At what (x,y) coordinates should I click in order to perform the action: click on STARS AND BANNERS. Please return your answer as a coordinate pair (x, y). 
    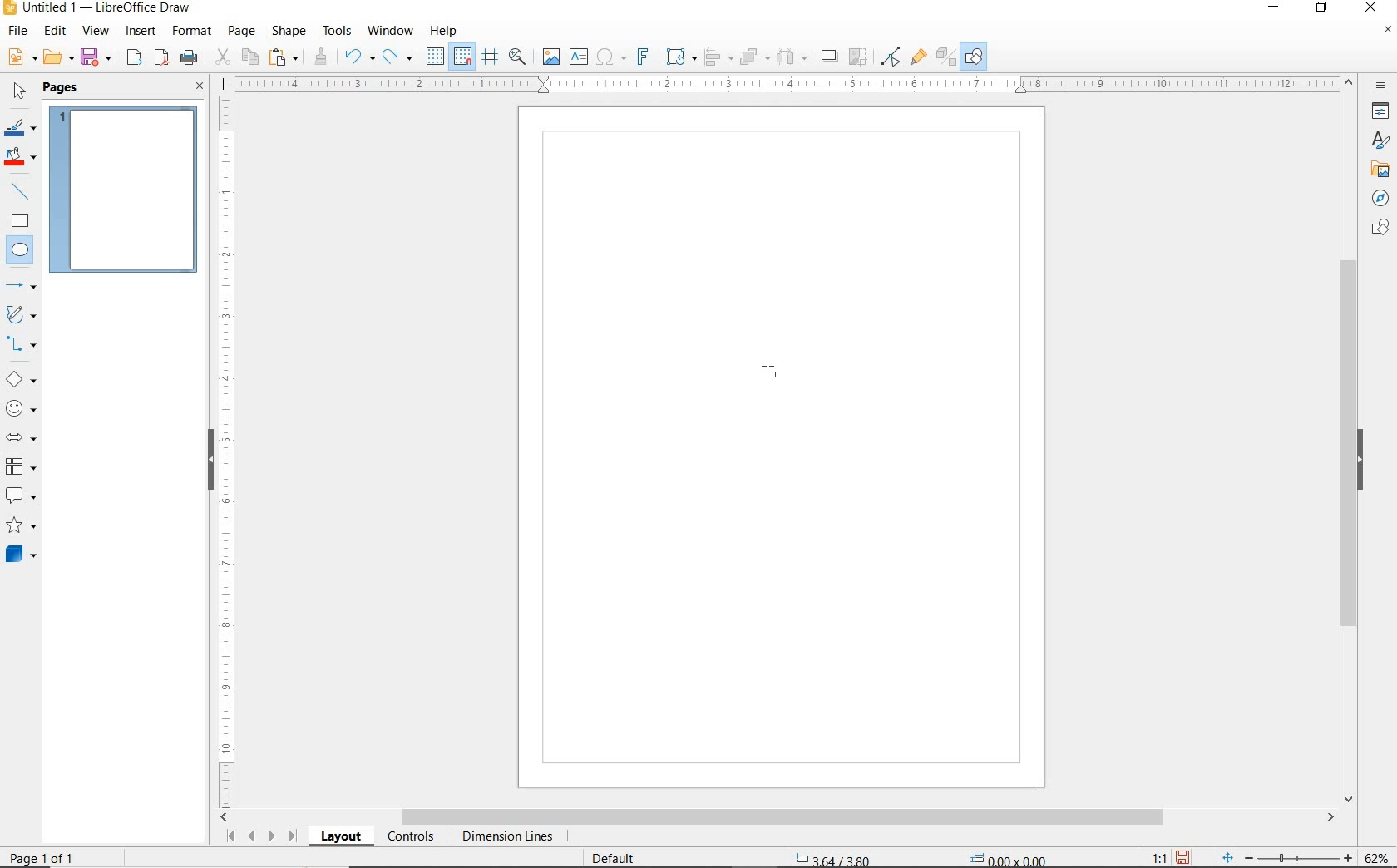
    Looking at the image, I should click on (21, 527).